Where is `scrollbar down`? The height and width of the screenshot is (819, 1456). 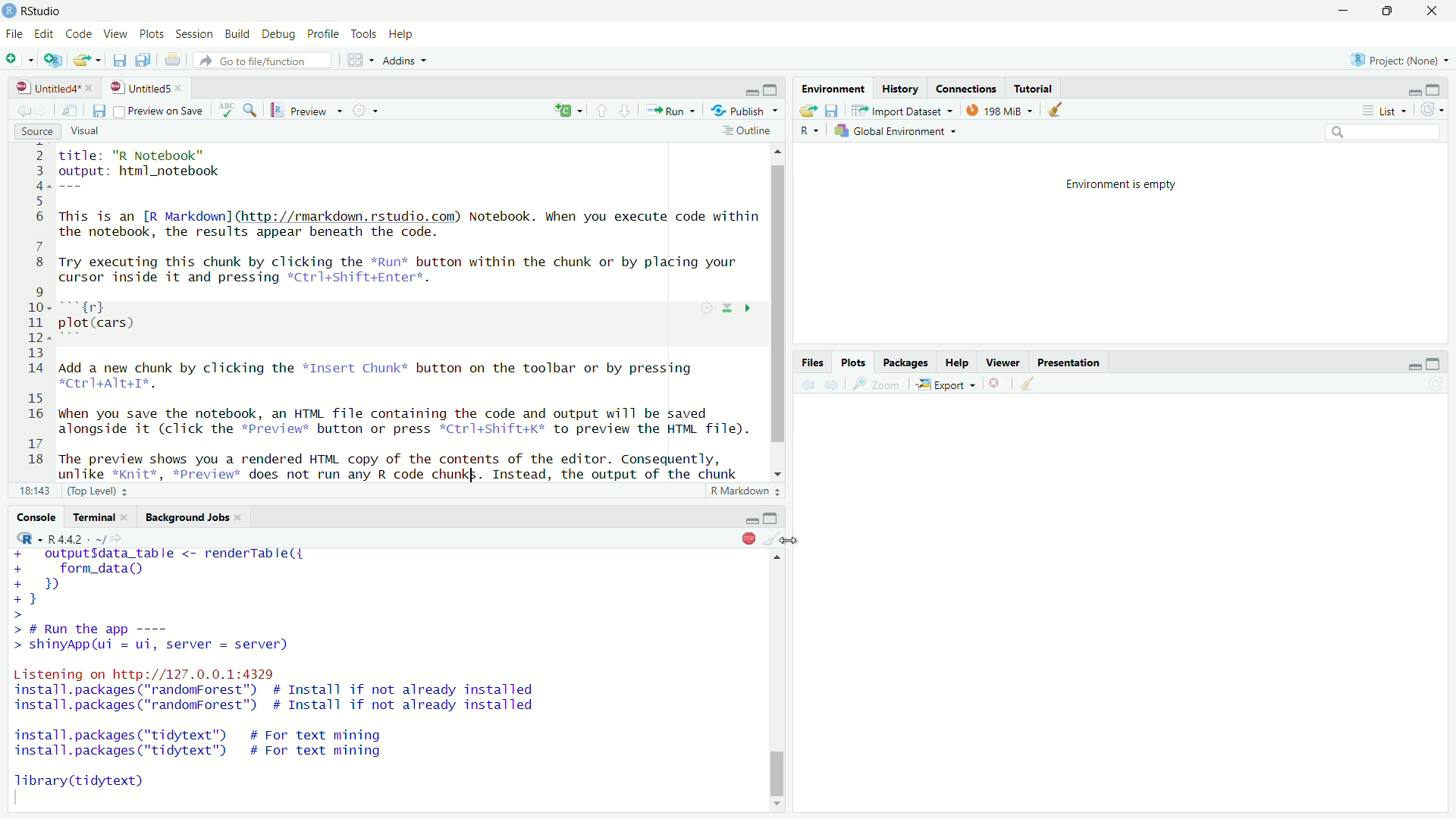
scrollbar down is located at coordinates (775, 808).